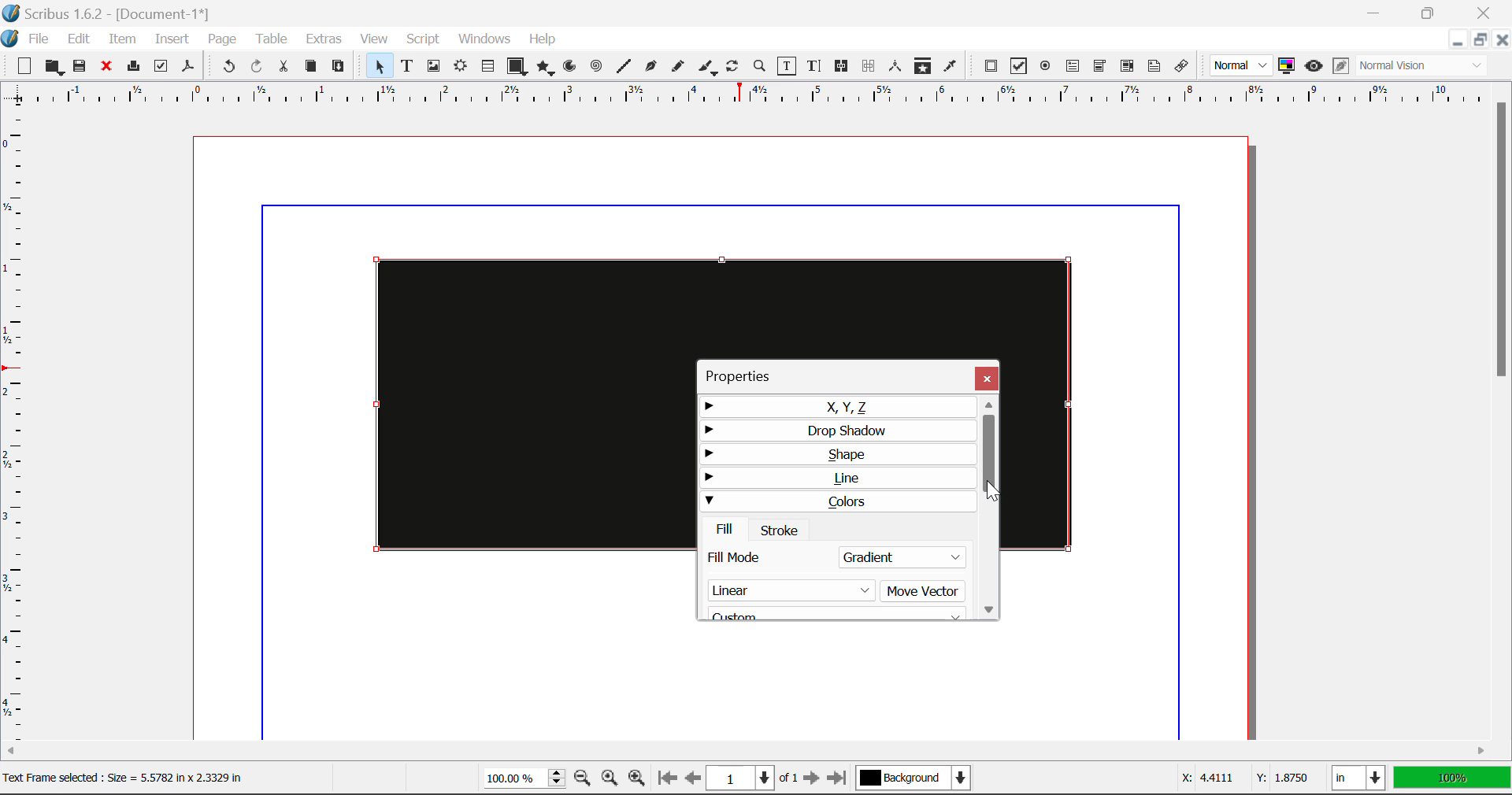 The width and height of the screenshot is (1512, 795). I want to click on PDF Text Fields, so click(1073, 66).